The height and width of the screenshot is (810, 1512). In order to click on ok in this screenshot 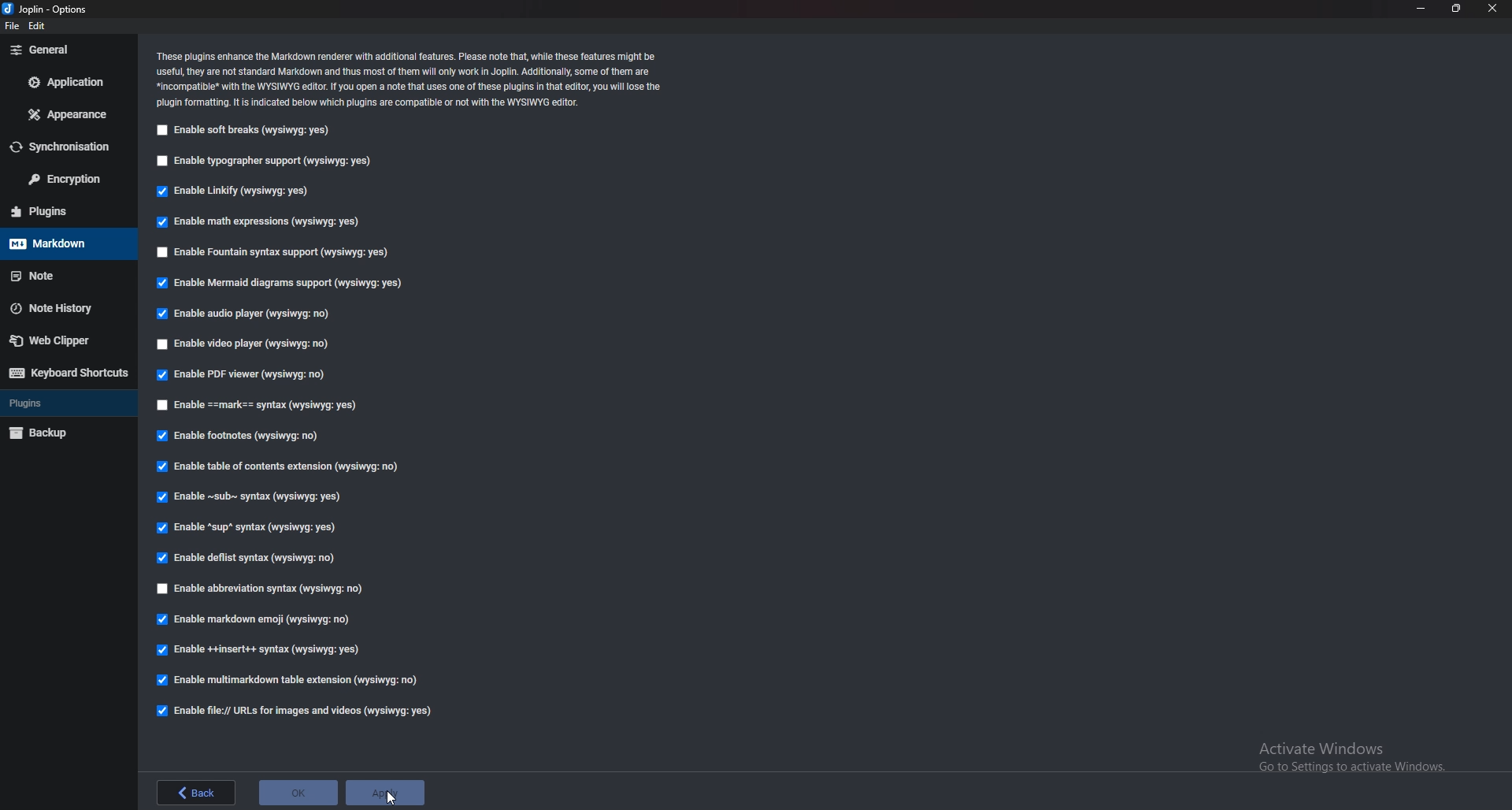, I will do `click(298, 793)`.